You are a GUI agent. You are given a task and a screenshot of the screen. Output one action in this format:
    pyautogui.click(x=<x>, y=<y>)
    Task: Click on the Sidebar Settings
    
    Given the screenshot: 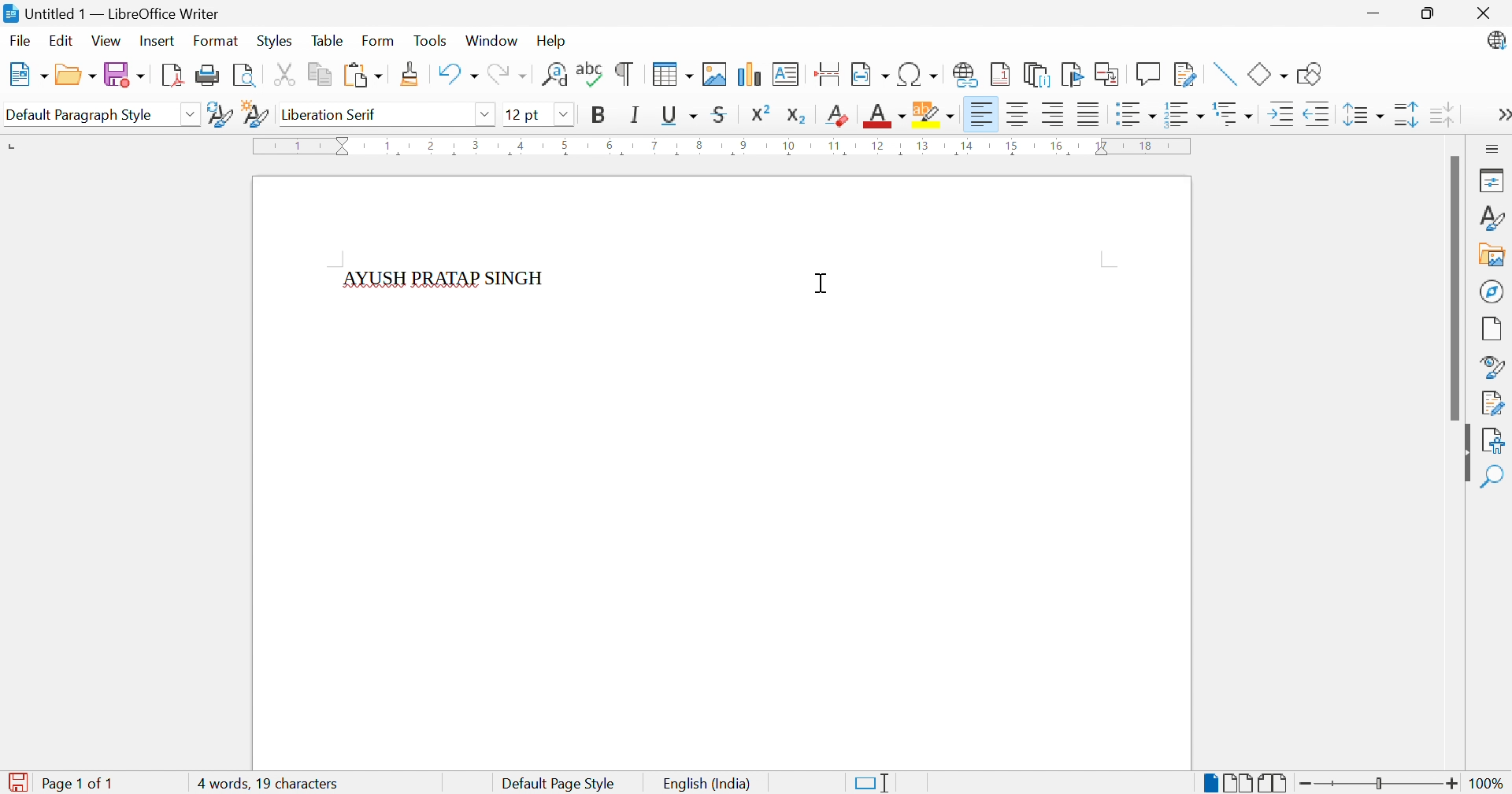 What is the action you would take?
    pyautogui.click(x=1490, y=148)
    